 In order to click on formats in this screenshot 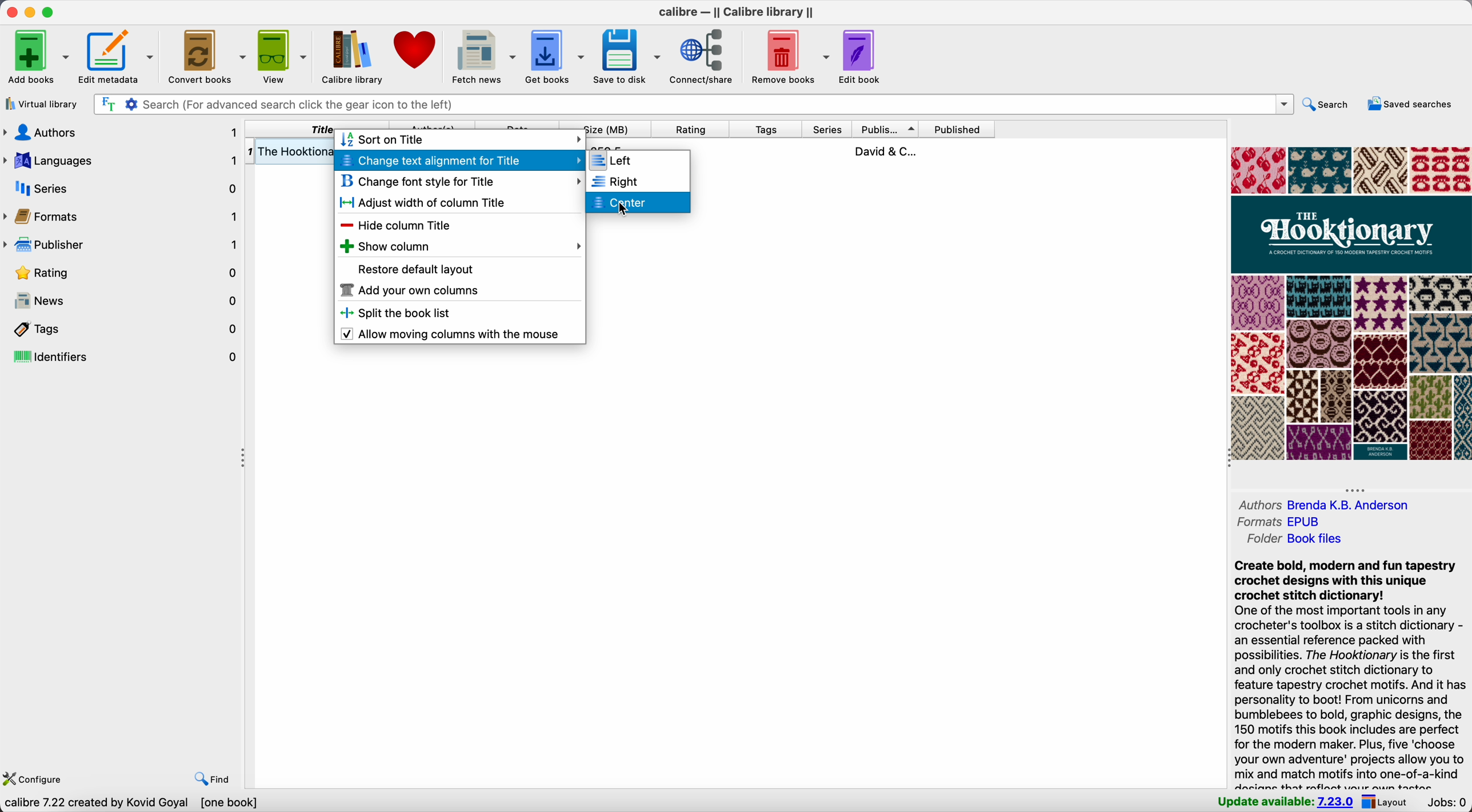, I will do `click(123, 219)`.